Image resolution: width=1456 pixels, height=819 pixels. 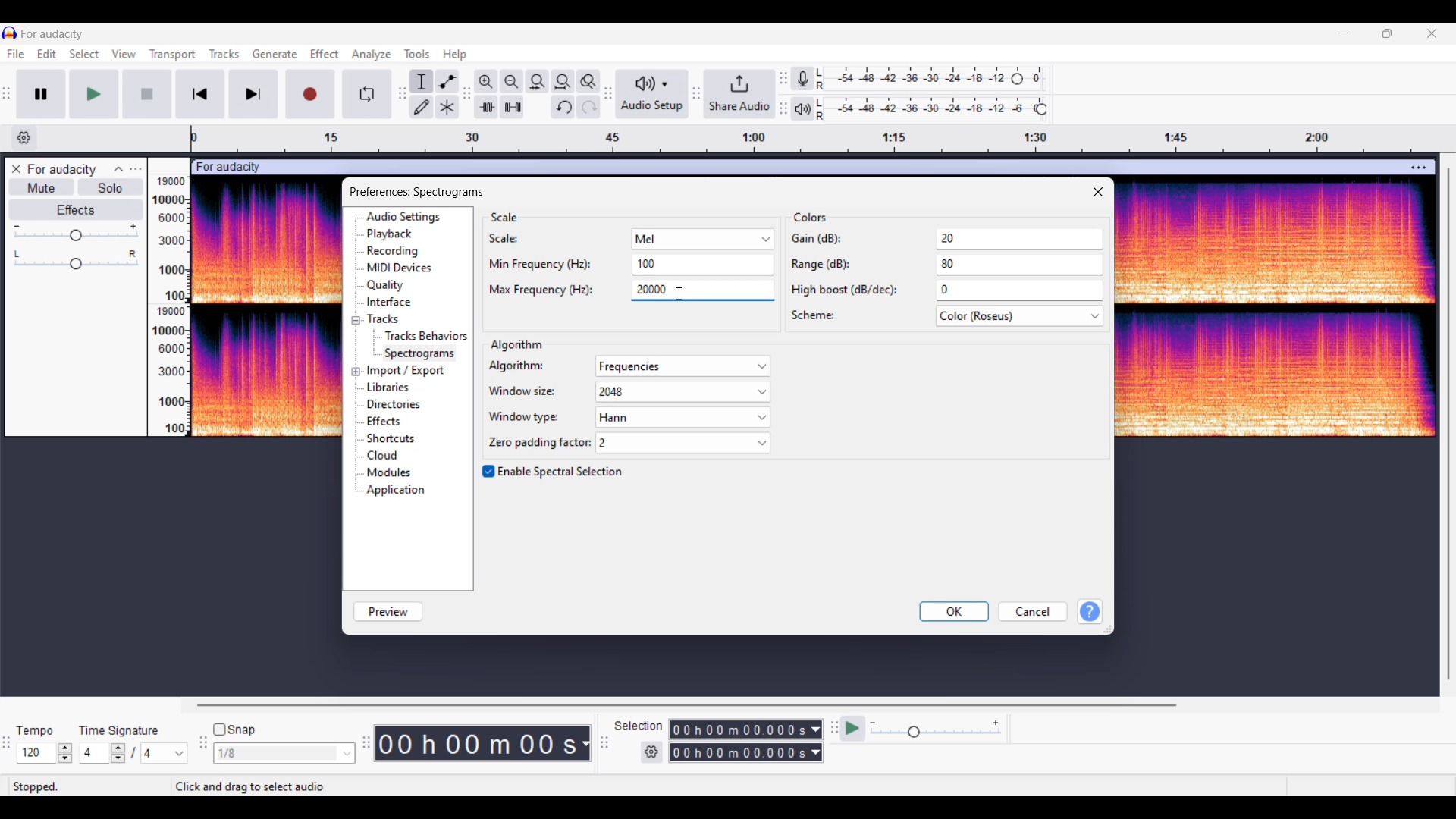 What do you see at coordinates (148, 94) in the screenshot?
I see `Start` at bounding box center [148, 94].